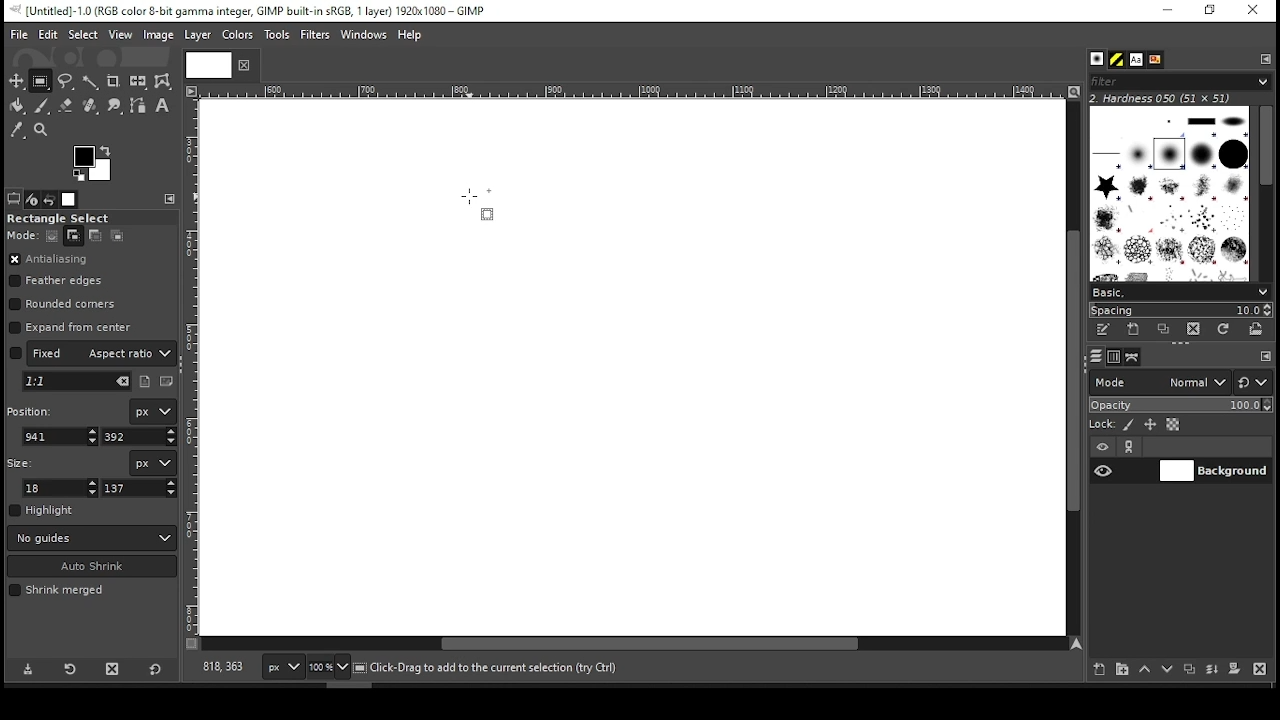  What do you see at coordinates (172, 199) in the screenshot?
I see `configure this tab` at bounding box center [172, 199].